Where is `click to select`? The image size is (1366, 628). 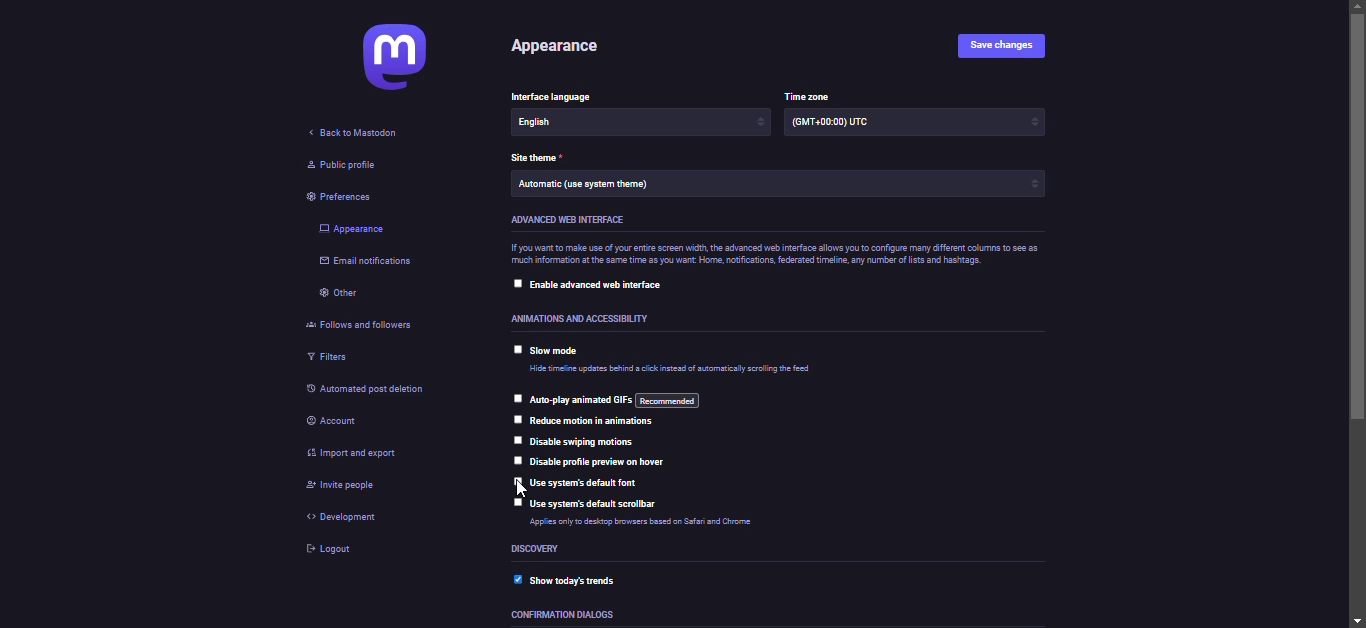 click to select is located at coordinates (515, 284).